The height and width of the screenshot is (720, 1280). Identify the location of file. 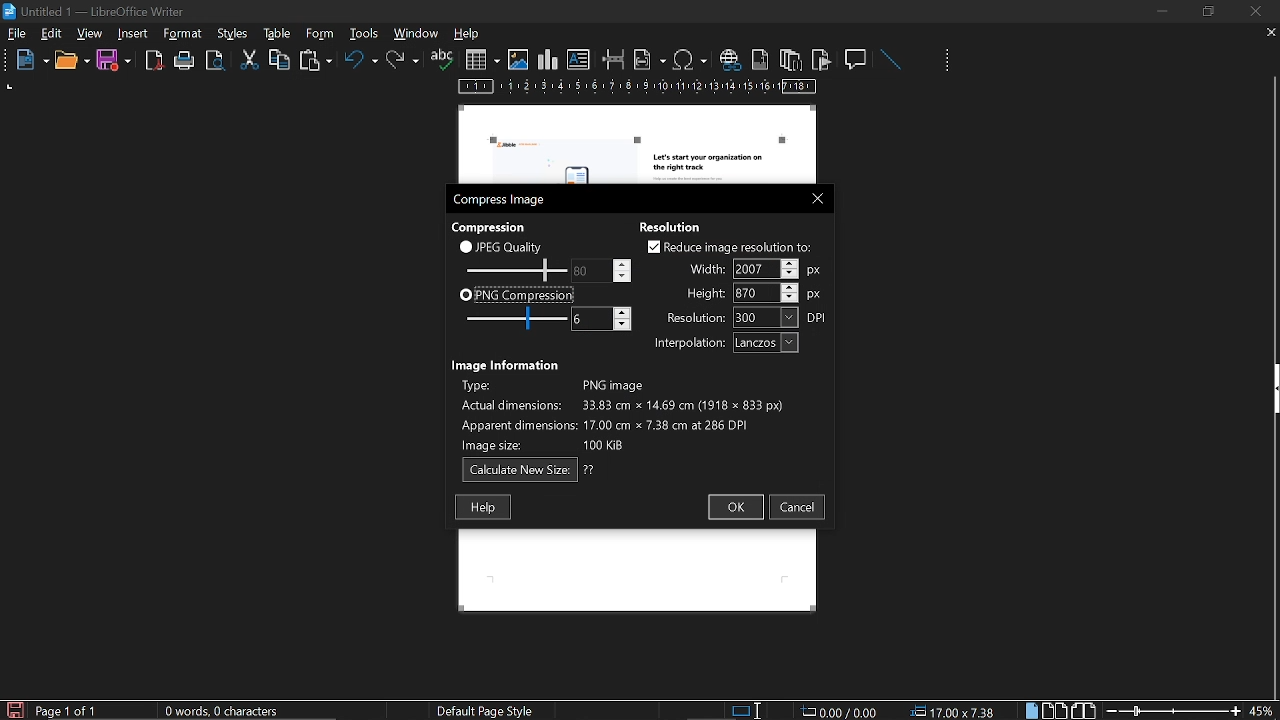
(17, 35).